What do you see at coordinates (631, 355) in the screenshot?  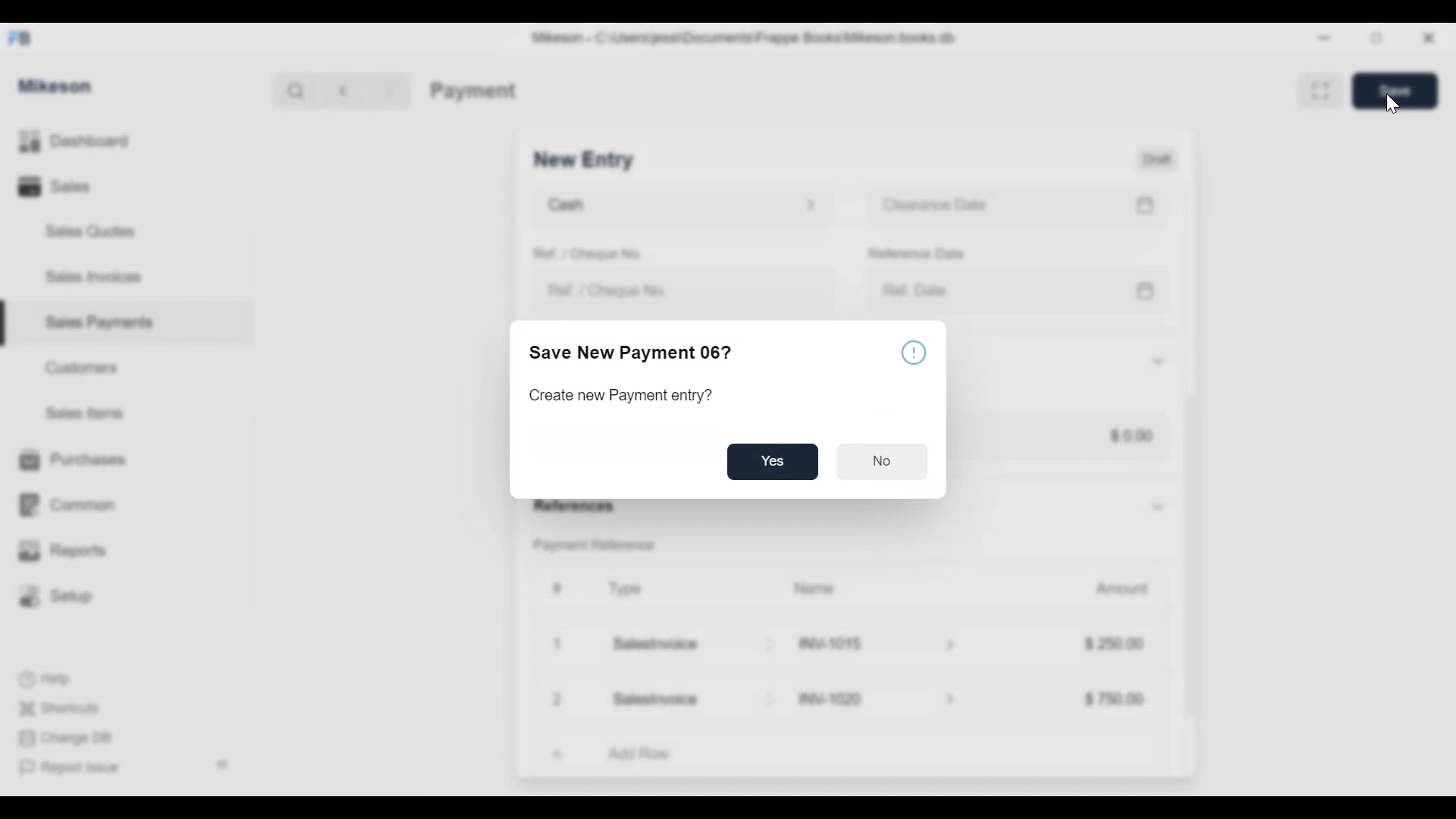 I see `Save New Payment 06?` at bounding box center [631, 355].